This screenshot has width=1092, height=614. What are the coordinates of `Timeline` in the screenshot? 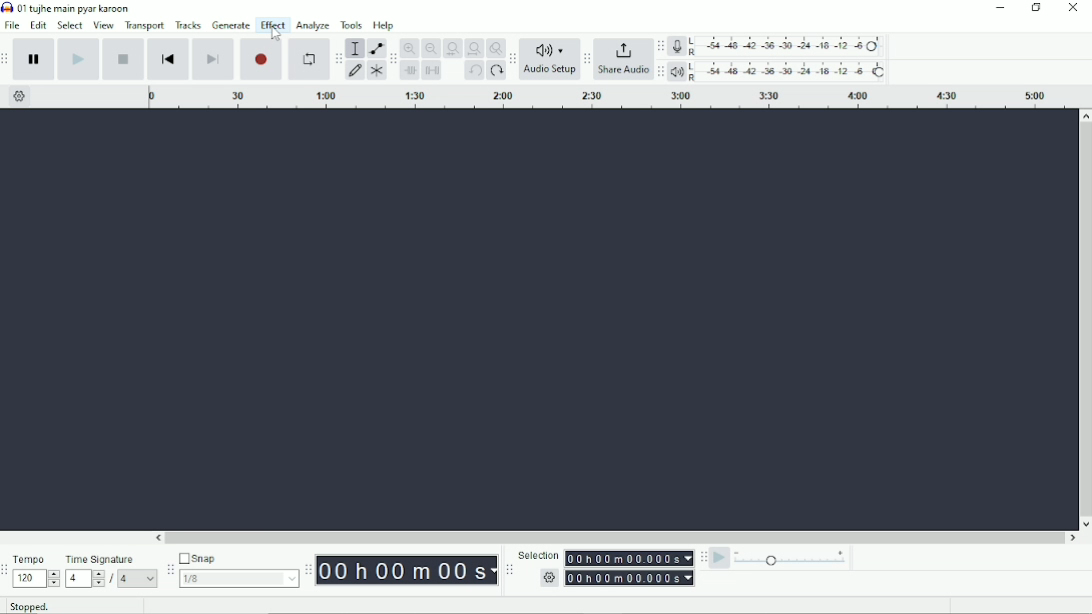 It's located at (603, 97).